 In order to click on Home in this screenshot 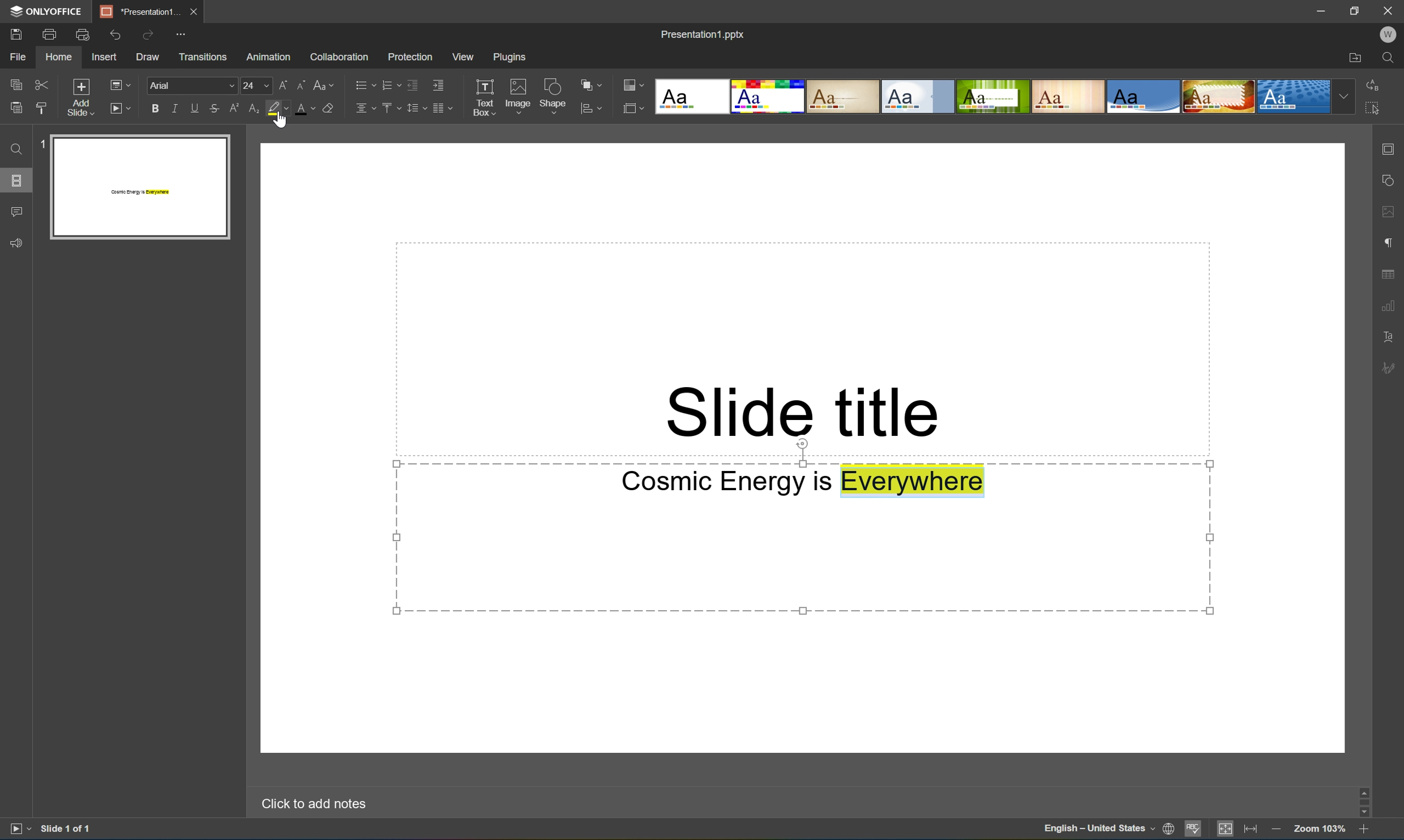, I will do `click(57, 57)`.